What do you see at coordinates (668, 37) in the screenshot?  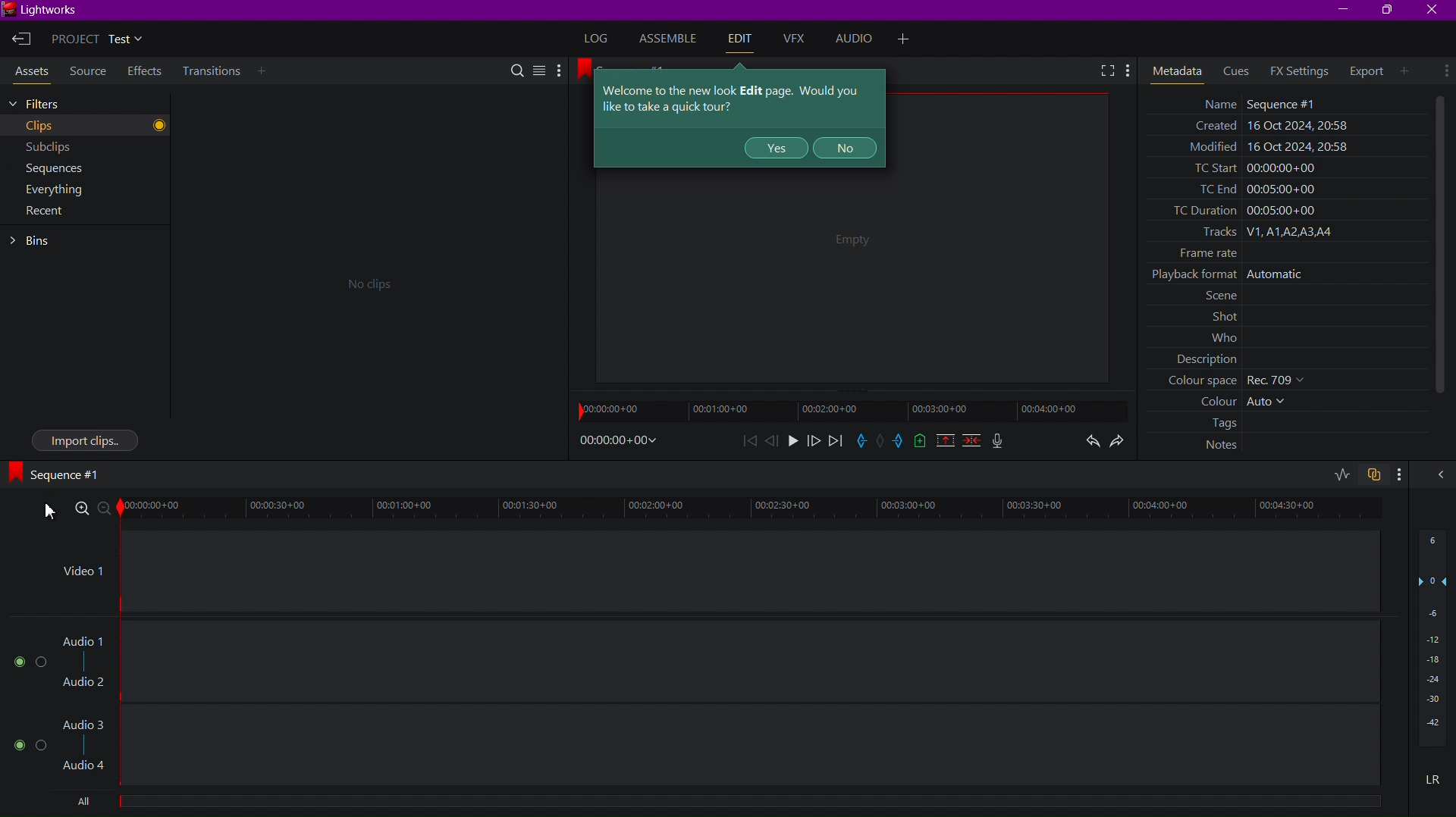 I see `Assemble` at bounding box center [668, 37].